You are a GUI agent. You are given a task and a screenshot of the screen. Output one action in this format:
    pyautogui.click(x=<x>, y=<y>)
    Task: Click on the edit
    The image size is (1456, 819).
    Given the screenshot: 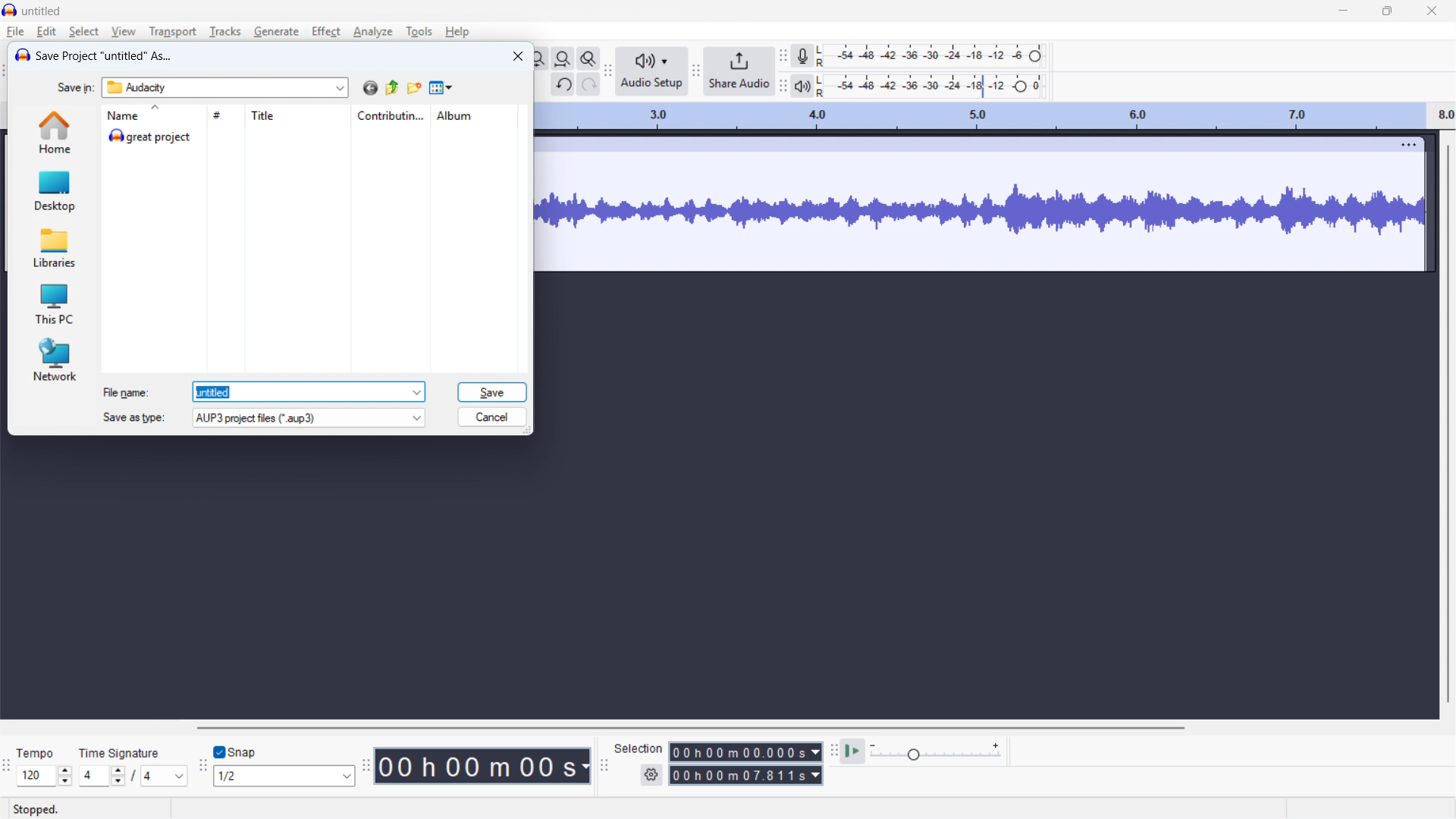 What is the action you would take?
    pyautogui.click(x=47, y=32)
    